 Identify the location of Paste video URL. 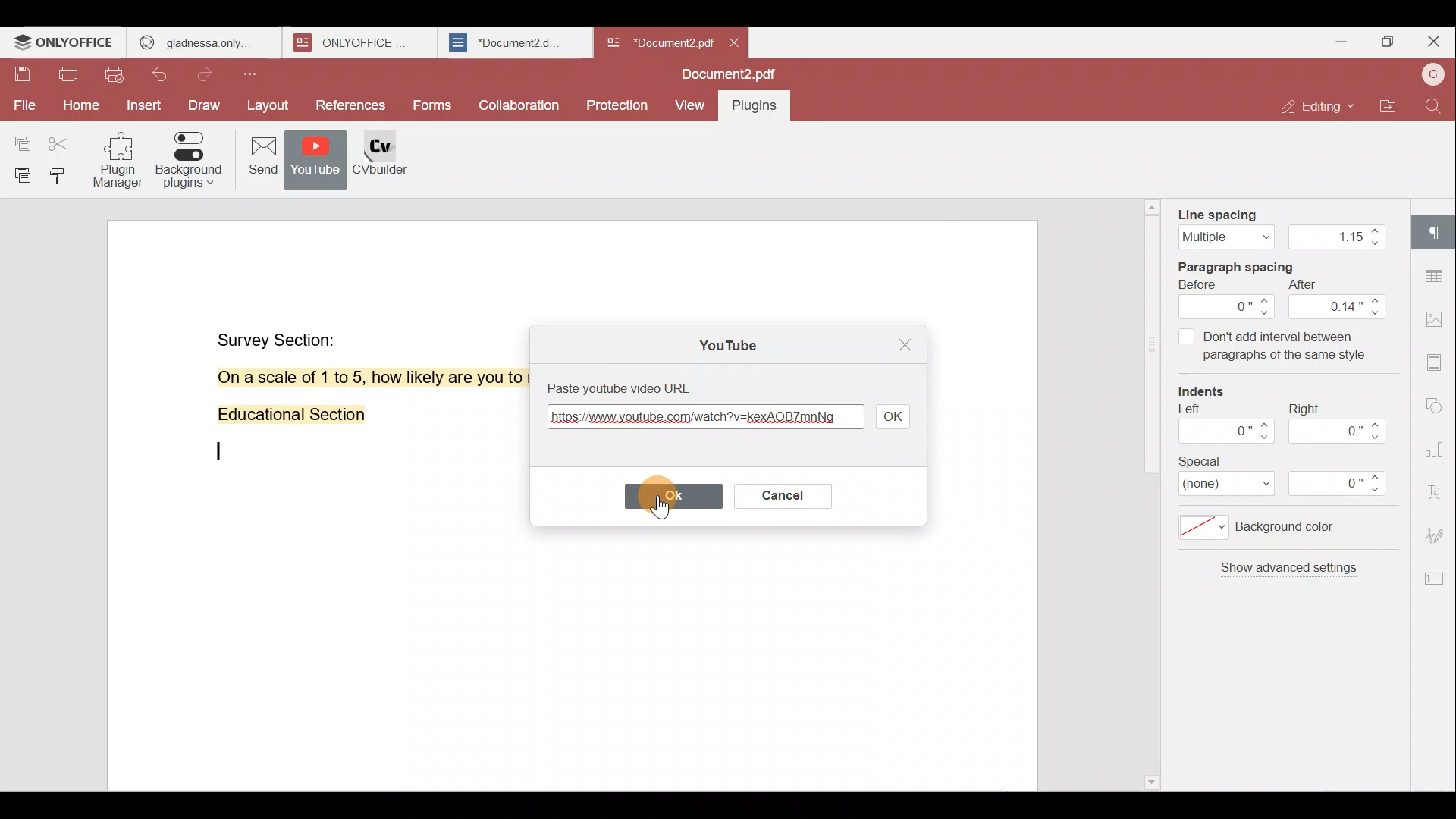
(641, 386).